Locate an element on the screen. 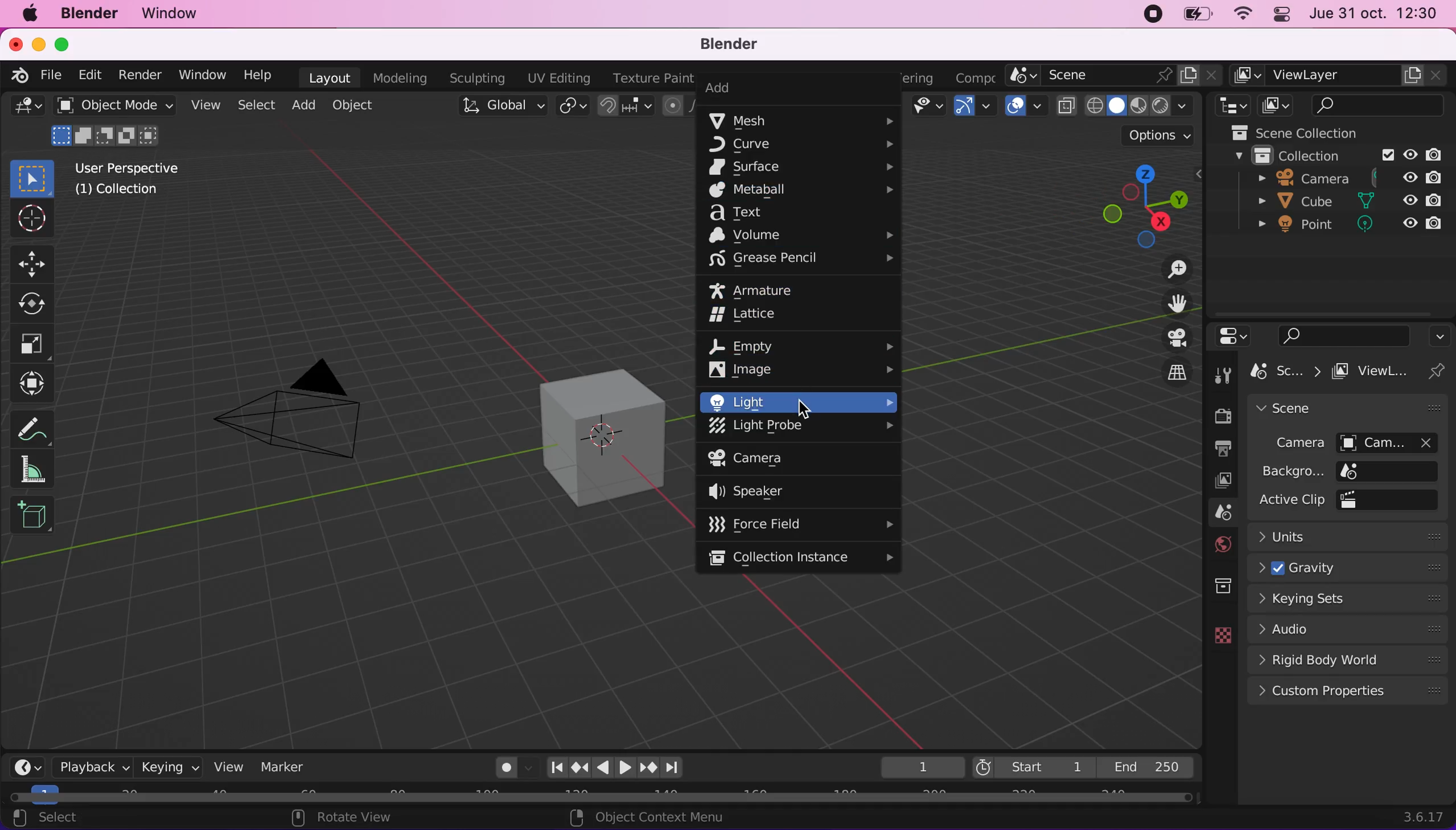  edit is located at coordinates (92, 77).